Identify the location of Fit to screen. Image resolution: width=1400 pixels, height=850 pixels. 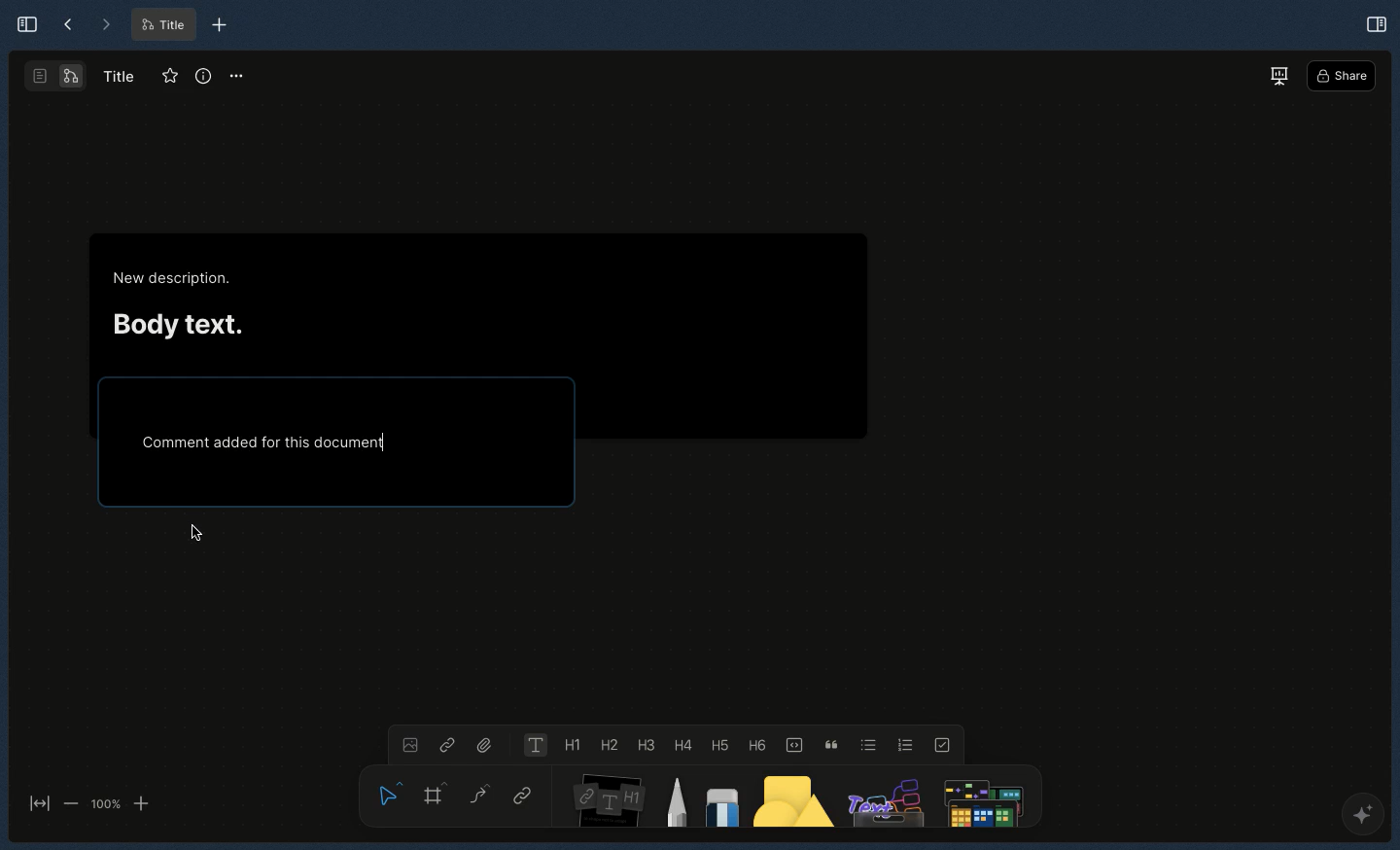
(37, 805).